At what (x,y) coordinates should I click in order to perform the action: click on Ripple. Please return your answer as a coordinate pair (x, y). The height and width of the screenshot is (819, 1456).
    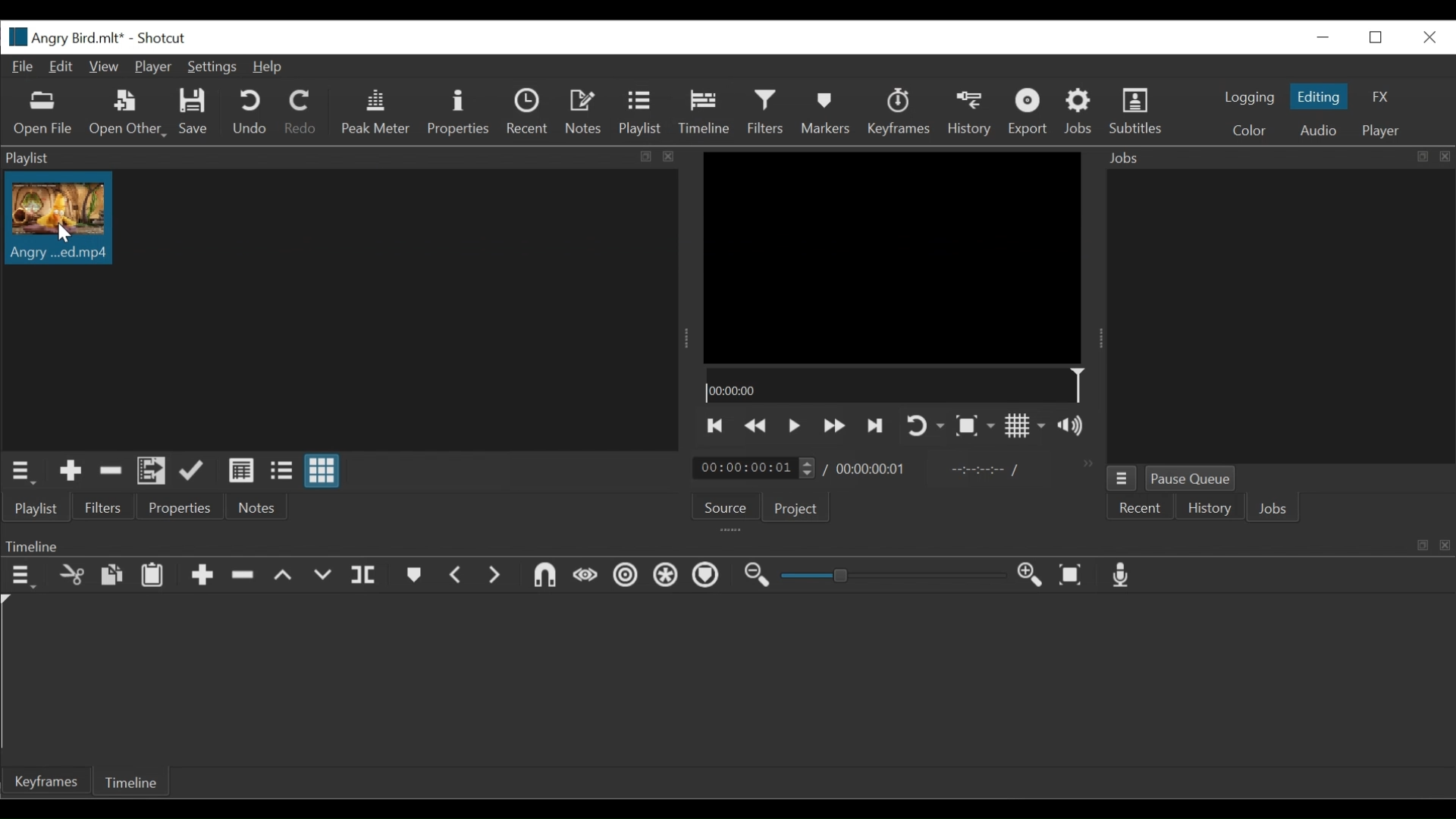
    Looking at the image, I should click on (626, 577).